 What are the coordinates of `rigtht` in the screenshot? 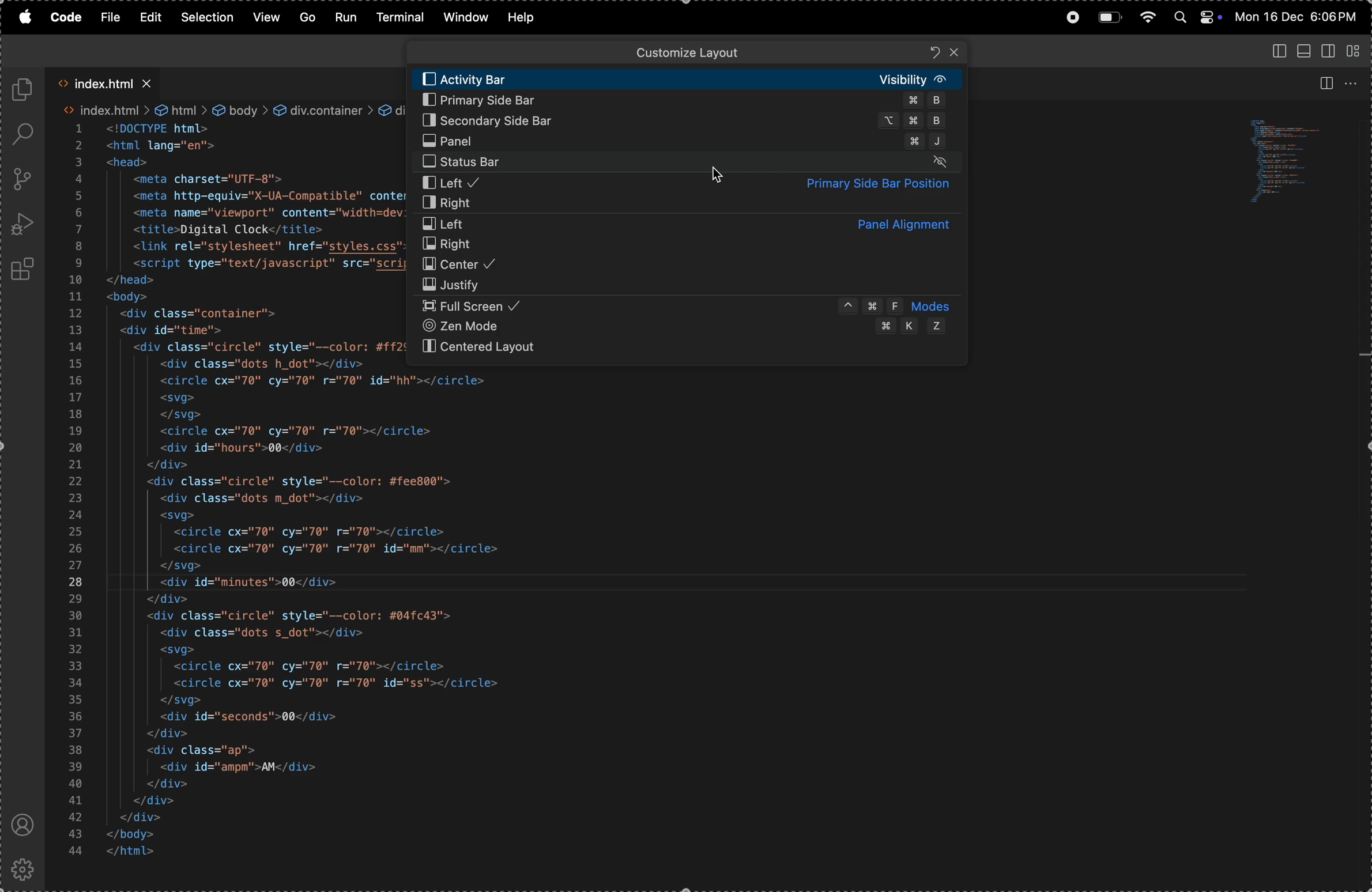 It's located at (684, 206).